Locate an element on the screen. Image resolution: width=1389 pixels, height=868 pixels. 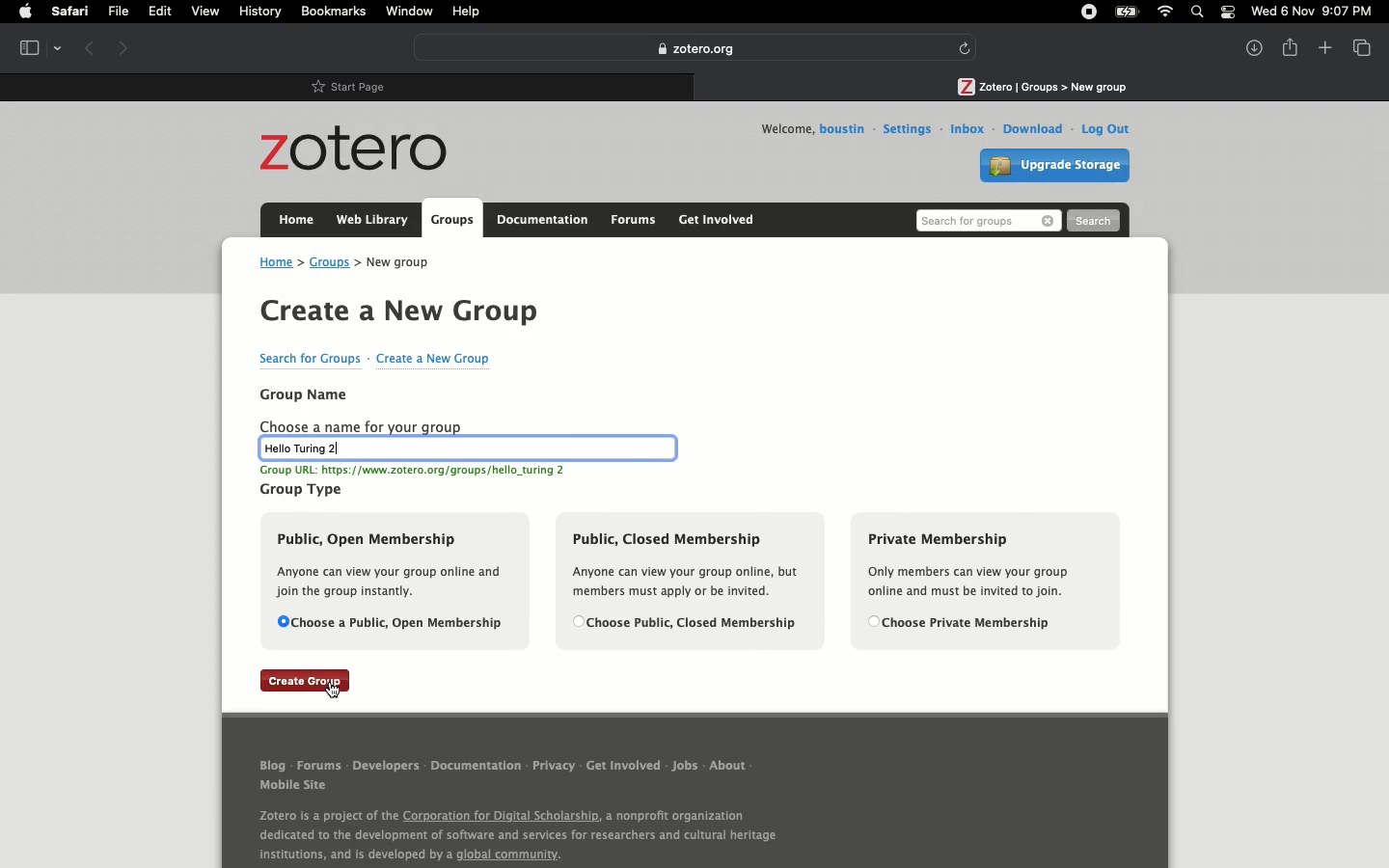
Previous is located at coordinates (91, 48).